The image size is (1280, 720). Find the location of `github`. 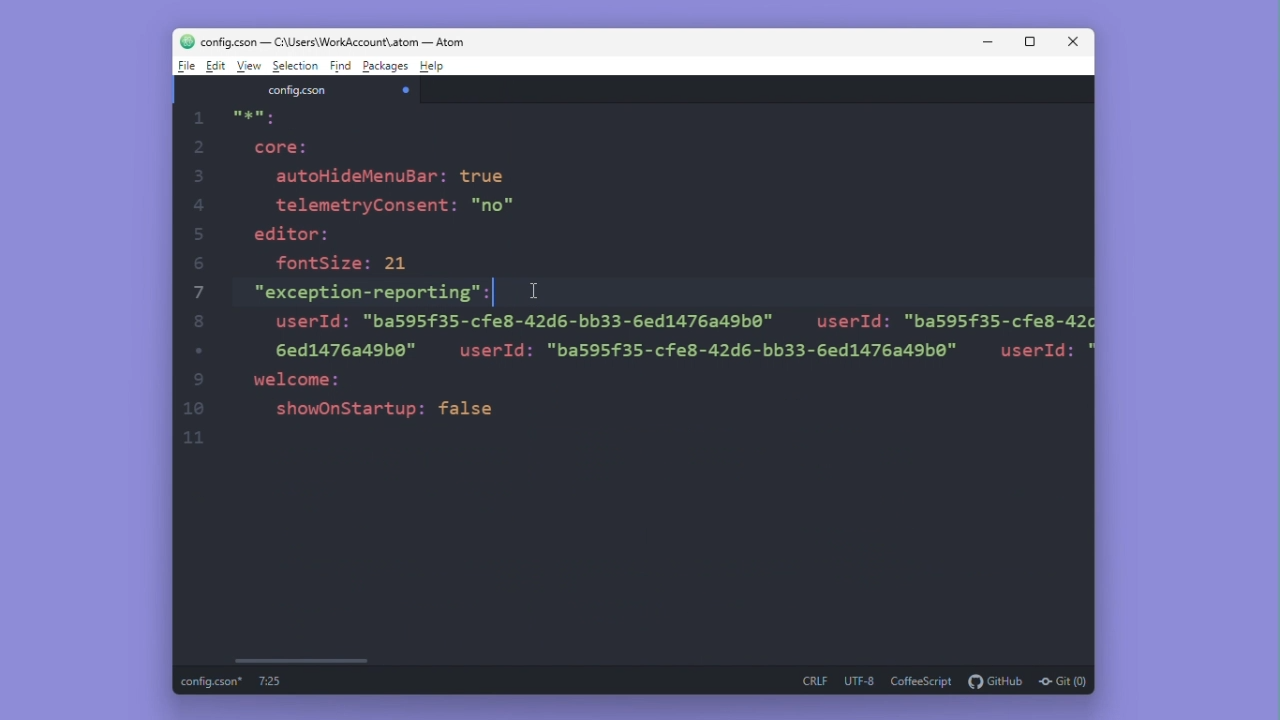

github is located at coordinates (996, 680).